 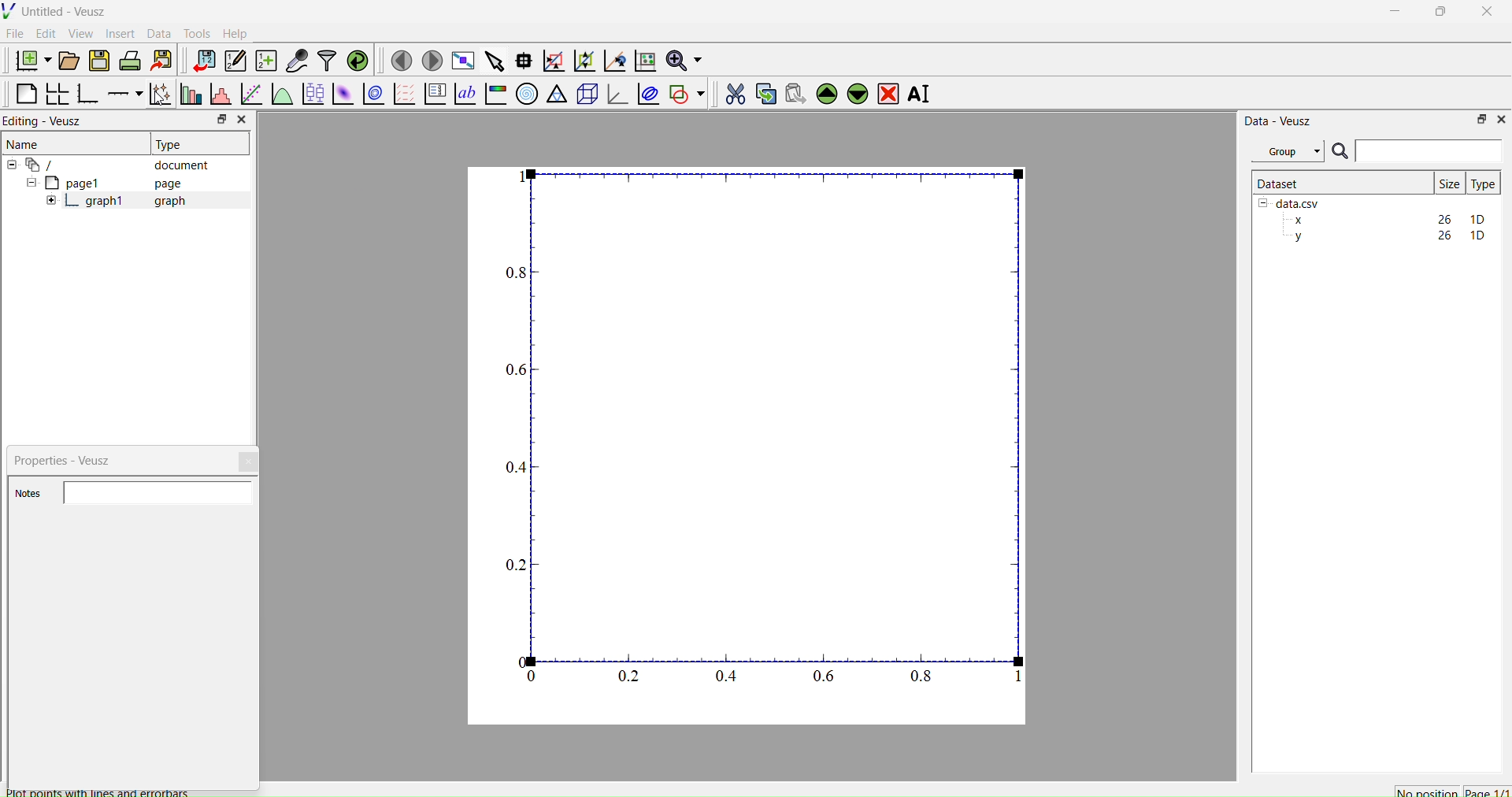 I want to click on Base Graph, so click(x=85, y=95).